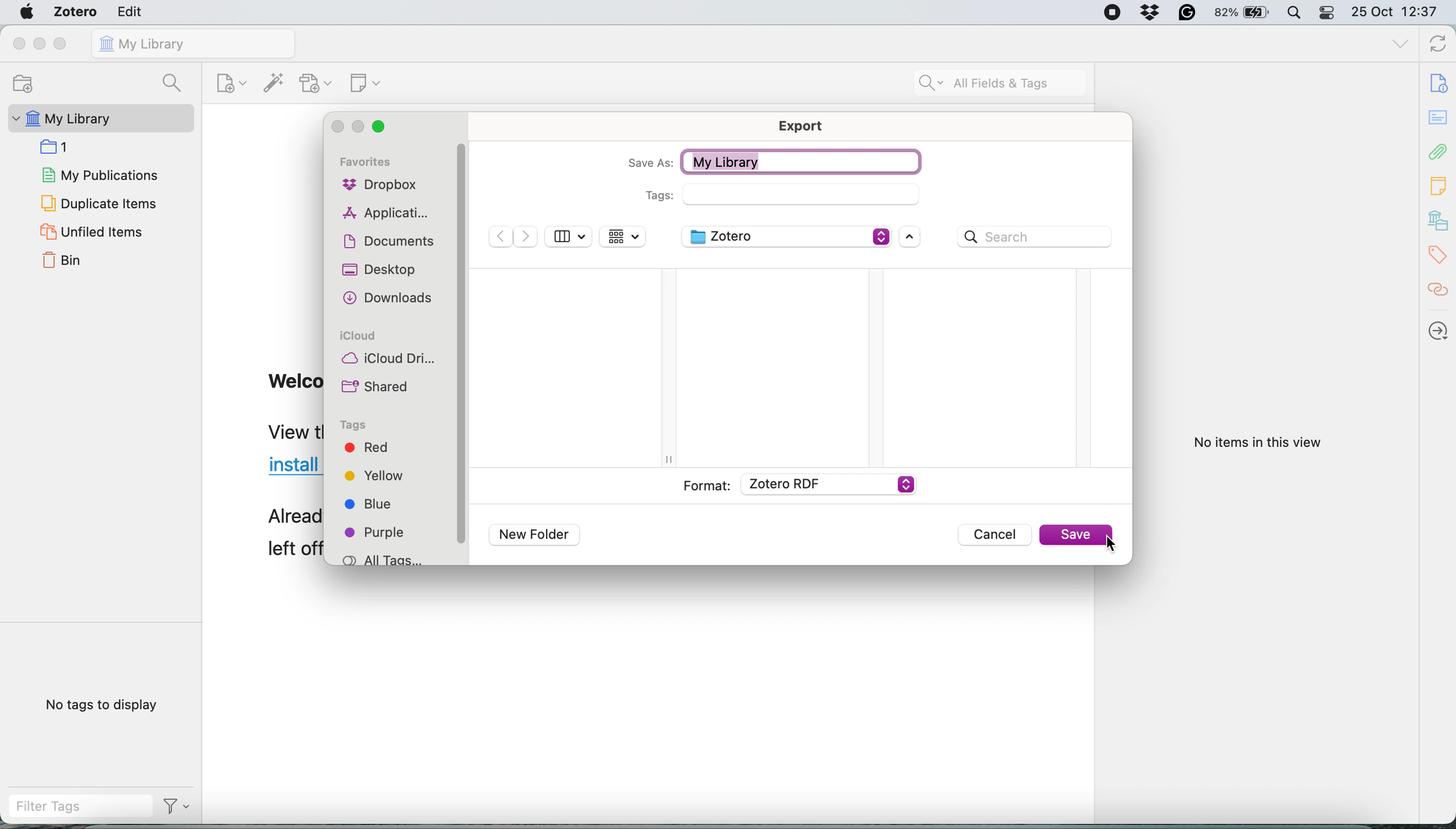  What do you see at coordinates (100, 203) in the screenshot?
I see `duplicate items` at bounding box center [100, 203].